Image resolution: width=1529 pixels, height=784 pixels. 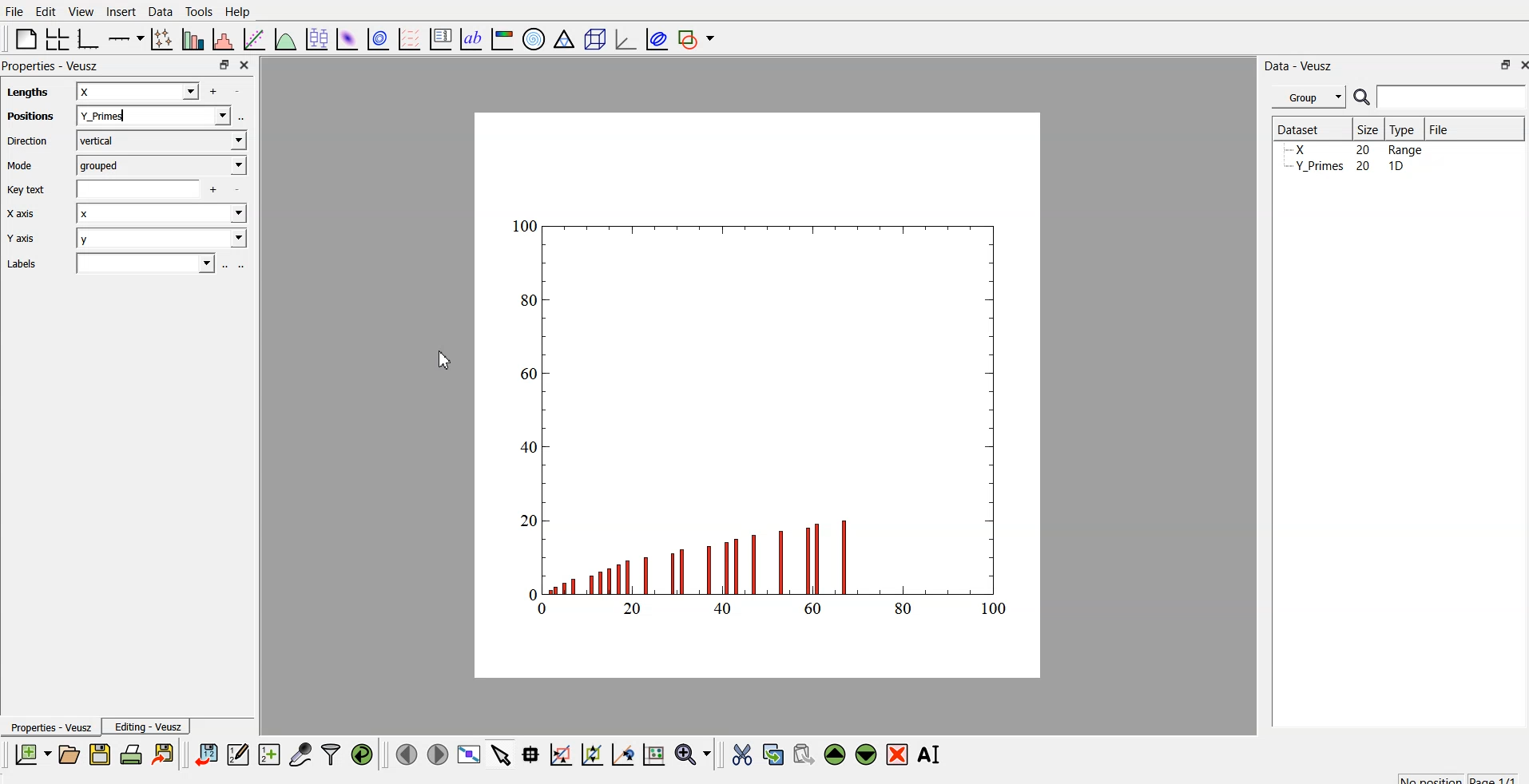 What do you see at coordinates (315, 38) in the screenshot?
I see `plot box plots` at bounding box center [315, 38].